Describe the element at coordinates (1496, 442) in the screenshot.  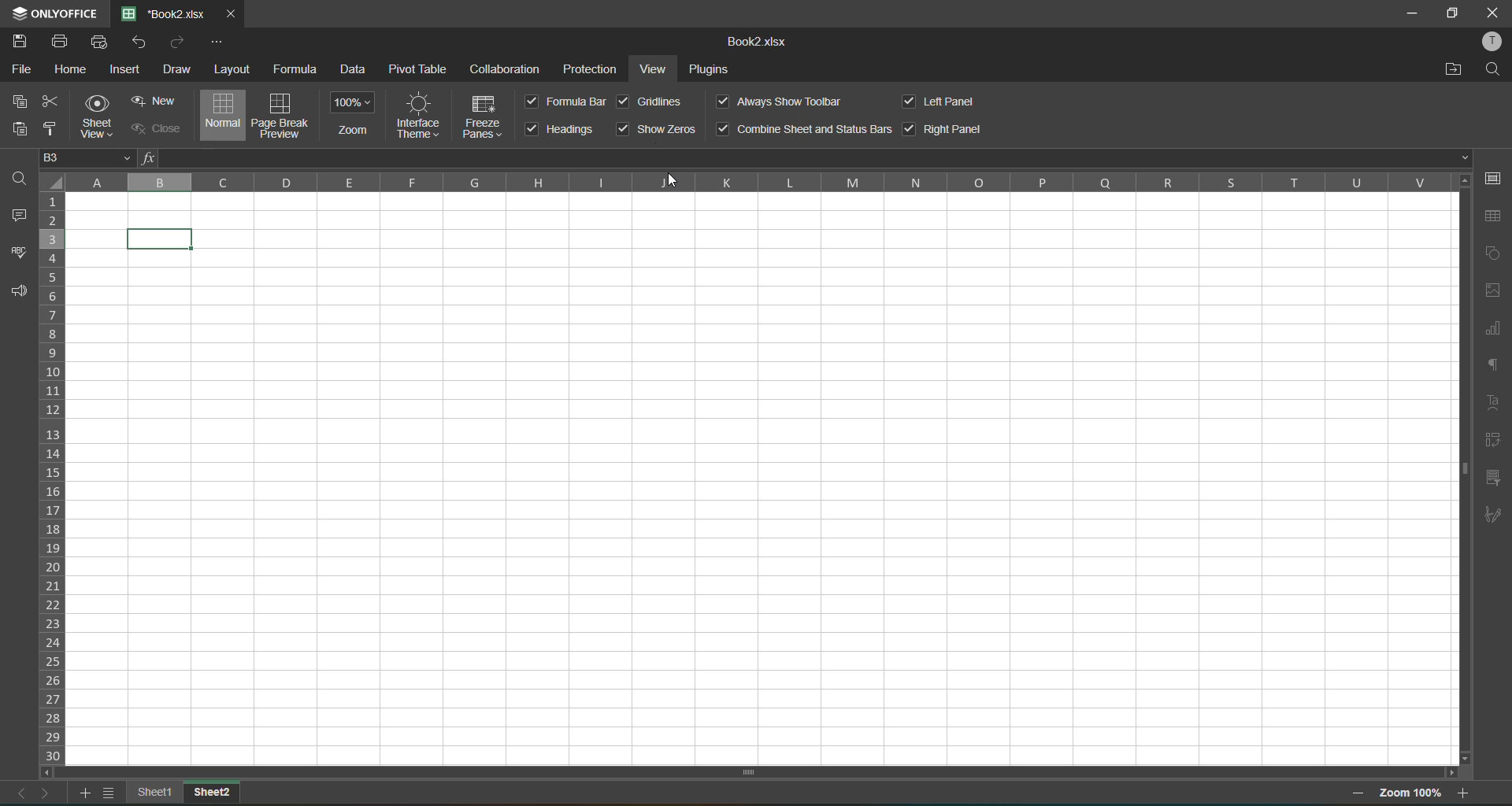
I see `pivot table` at that location.